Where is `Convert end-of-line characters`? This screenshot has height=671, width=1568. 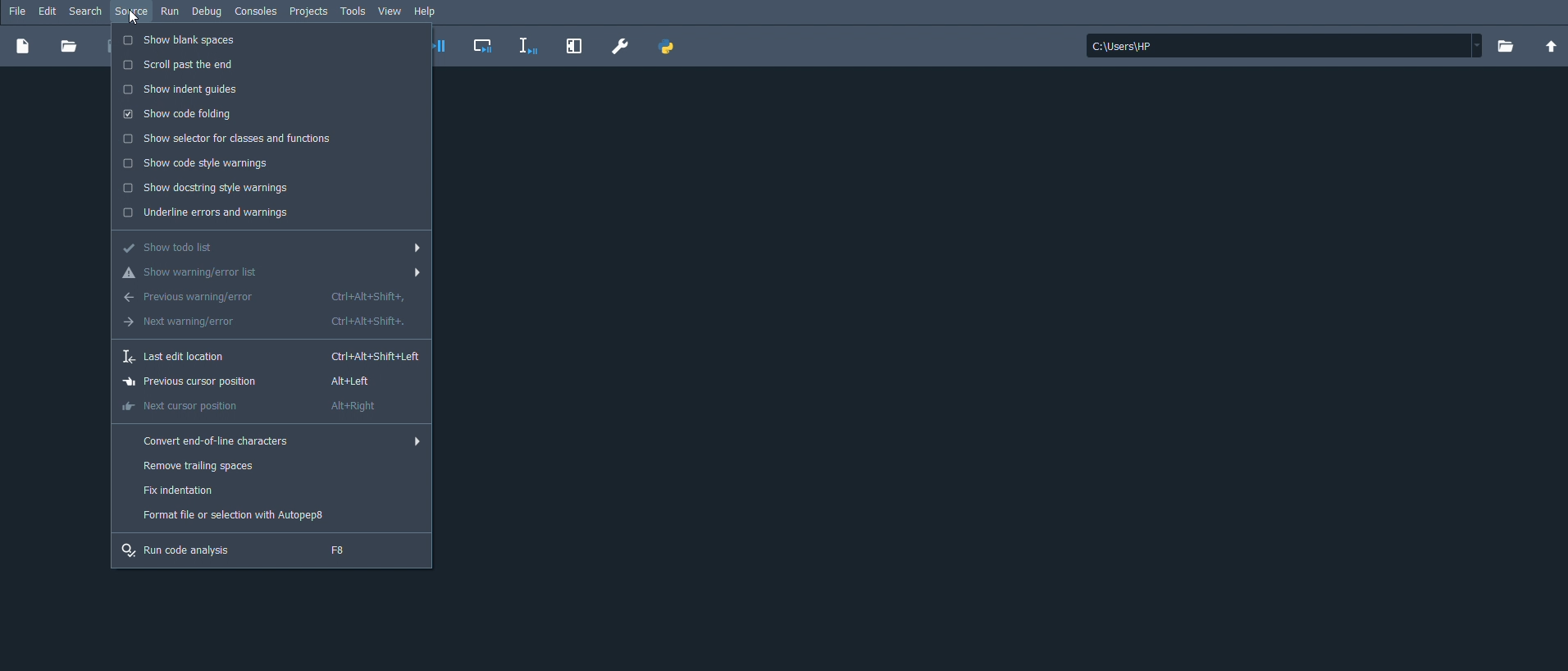 Convert end-of-line characters is located at coordinates (276, 443).